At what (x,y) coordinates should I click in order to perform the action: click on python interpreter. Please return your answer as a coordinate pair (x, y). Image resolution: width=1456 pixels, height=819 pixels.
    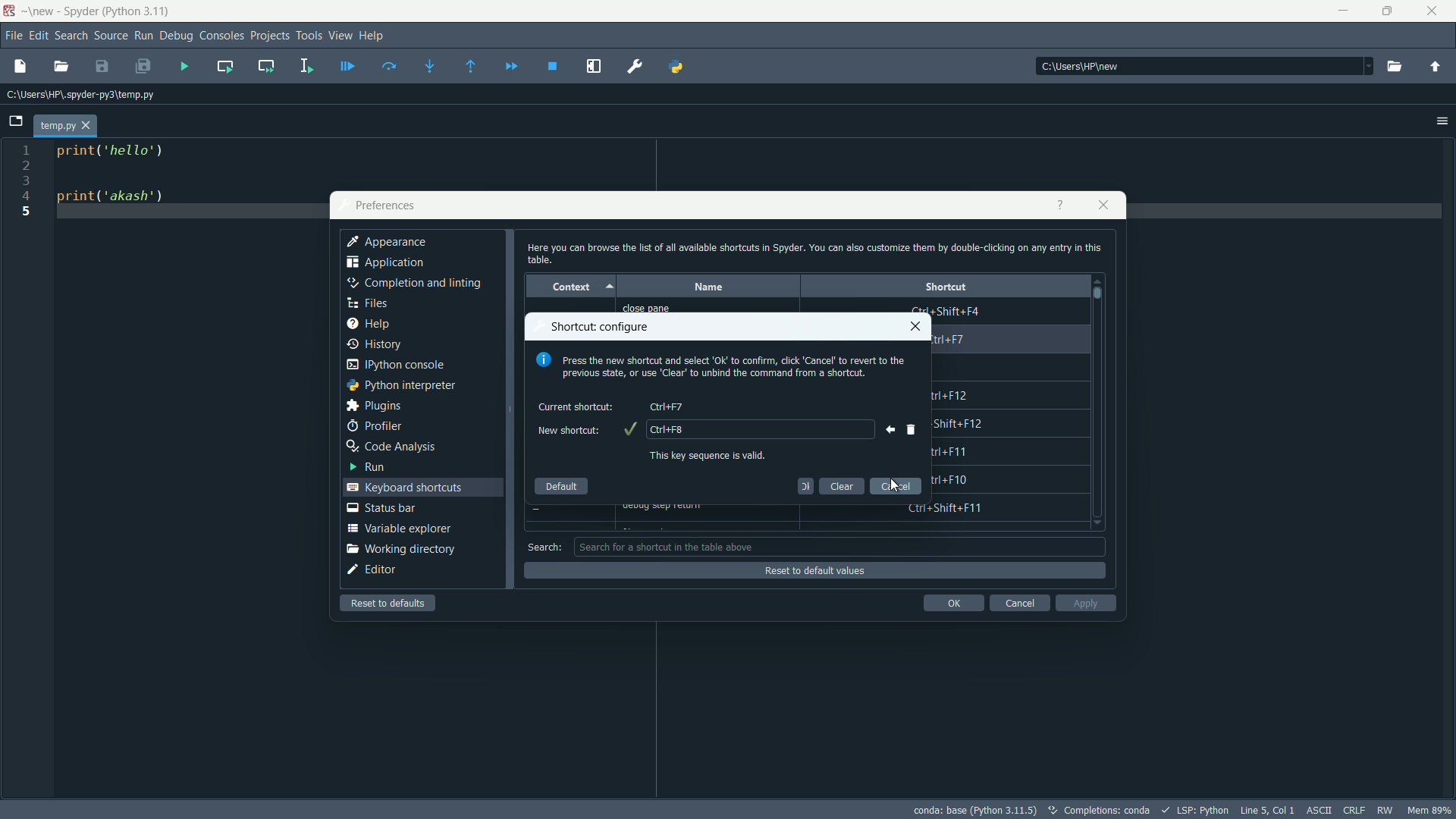
    Looking at the image, I should click on (400, 385).